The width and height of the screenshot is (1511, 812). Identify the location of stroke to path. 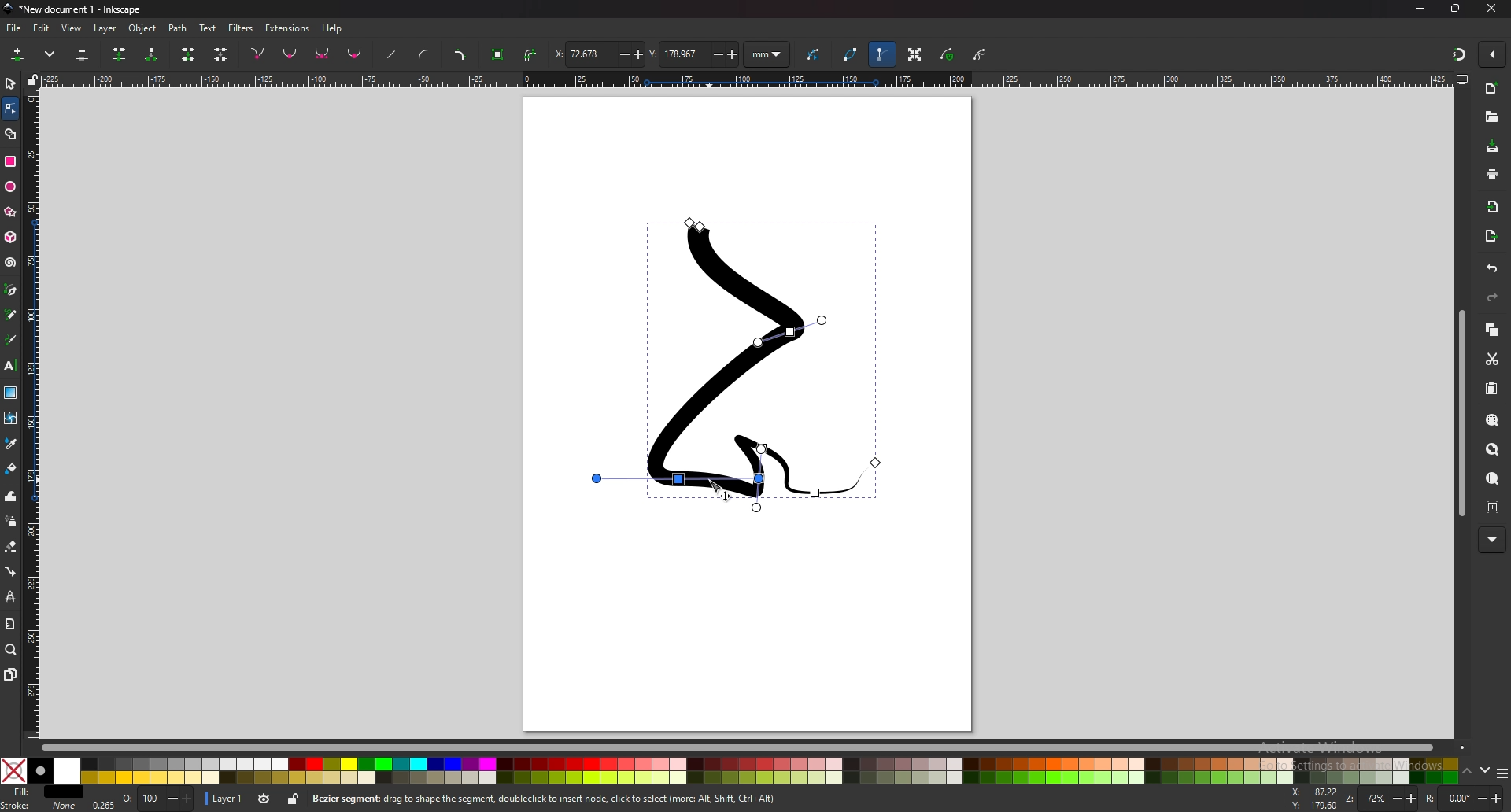
(531, 54).